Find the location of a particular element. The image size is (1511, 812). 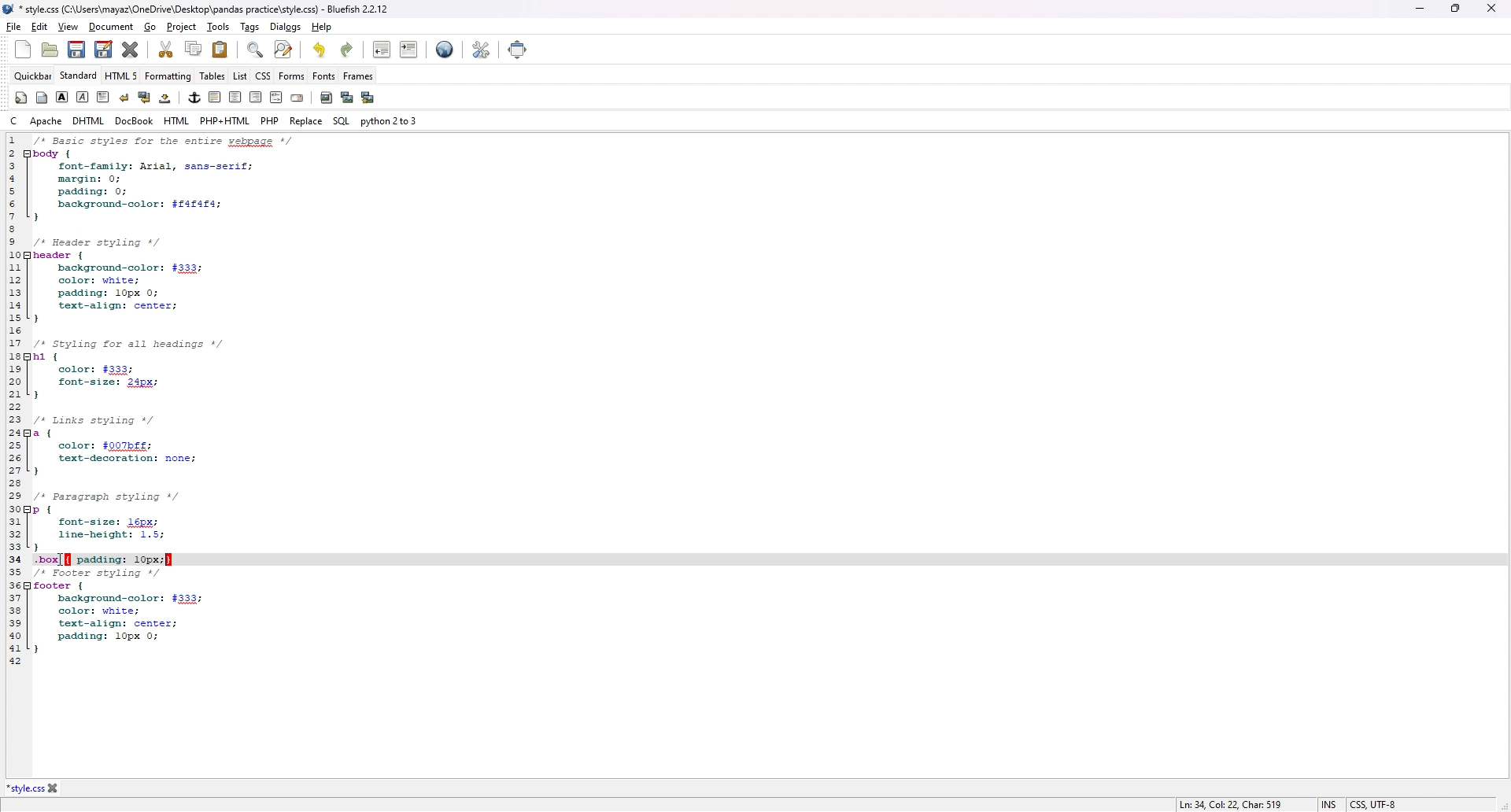

resize is located at coordinates (1454, 9).